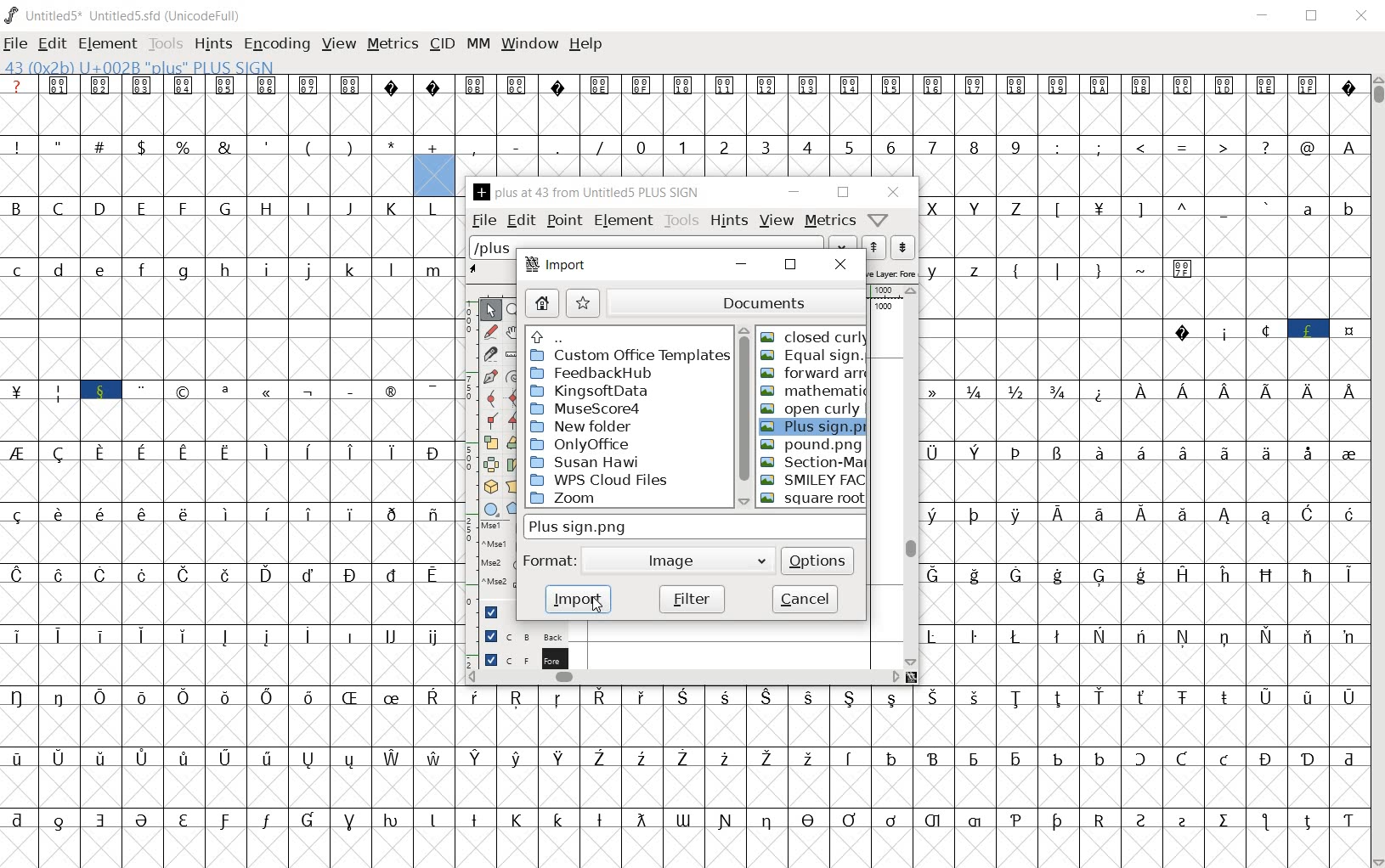 This screenshot has height=868, width=1385. What do you see at coordinates (586, 45) in the screenshot?
I see `help` at bounding box center [586, 45].